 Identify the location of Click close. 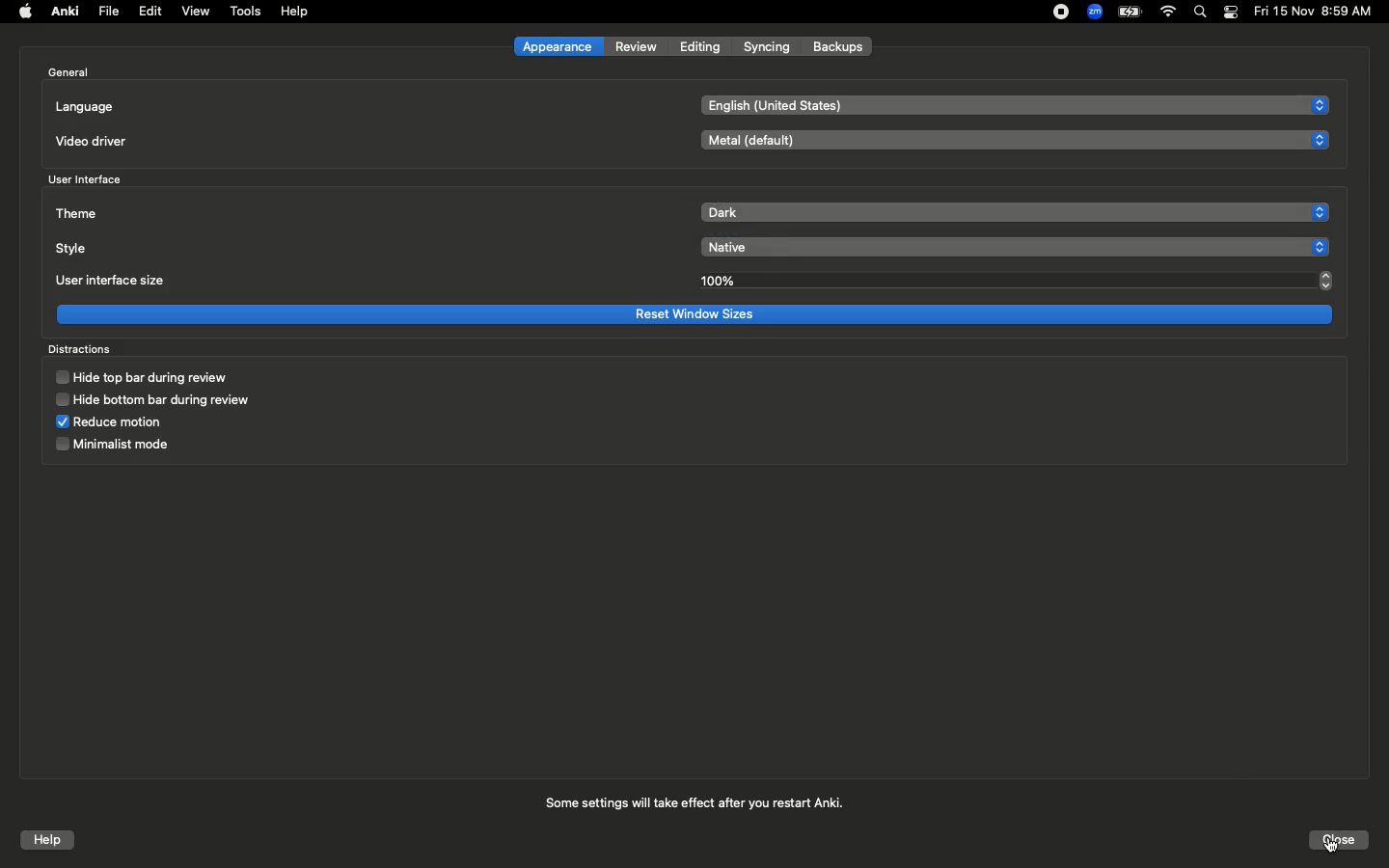
(1338, 839).